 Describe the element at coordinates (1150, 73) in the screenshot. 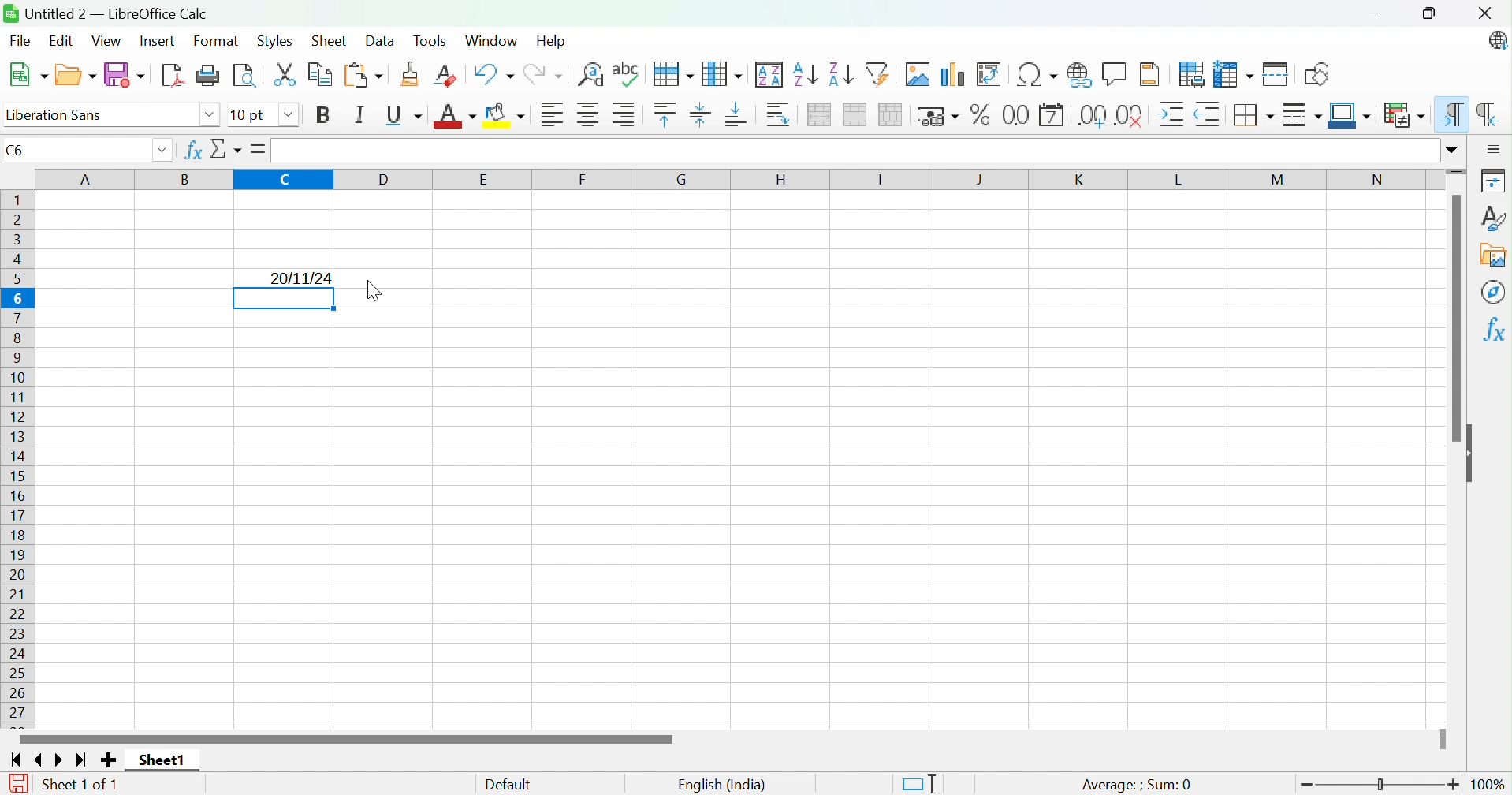

I see `Headers and footers` at that location.